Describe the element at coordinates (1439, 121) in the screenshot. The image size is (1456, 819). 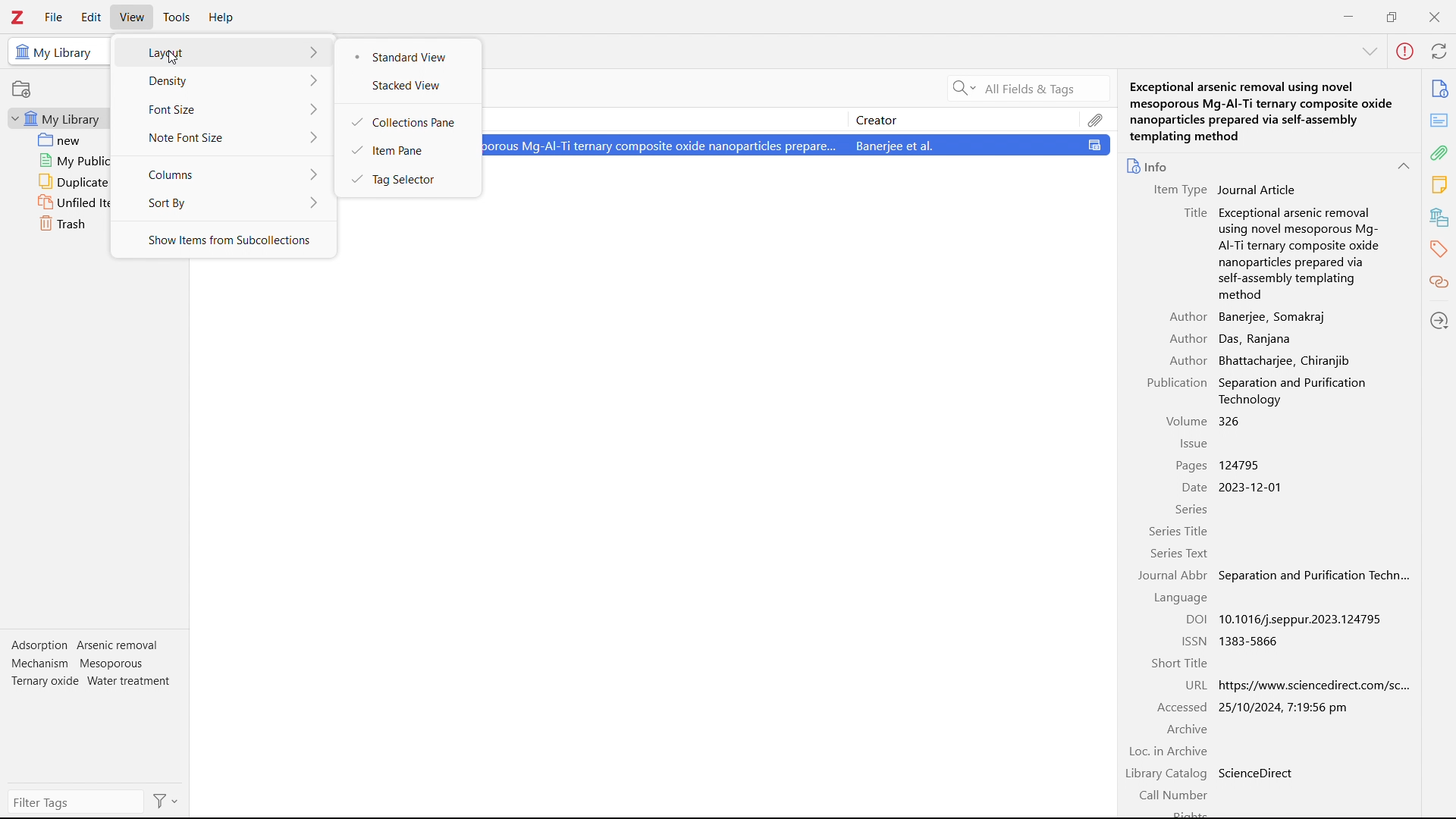
I see `abstract` at that location.